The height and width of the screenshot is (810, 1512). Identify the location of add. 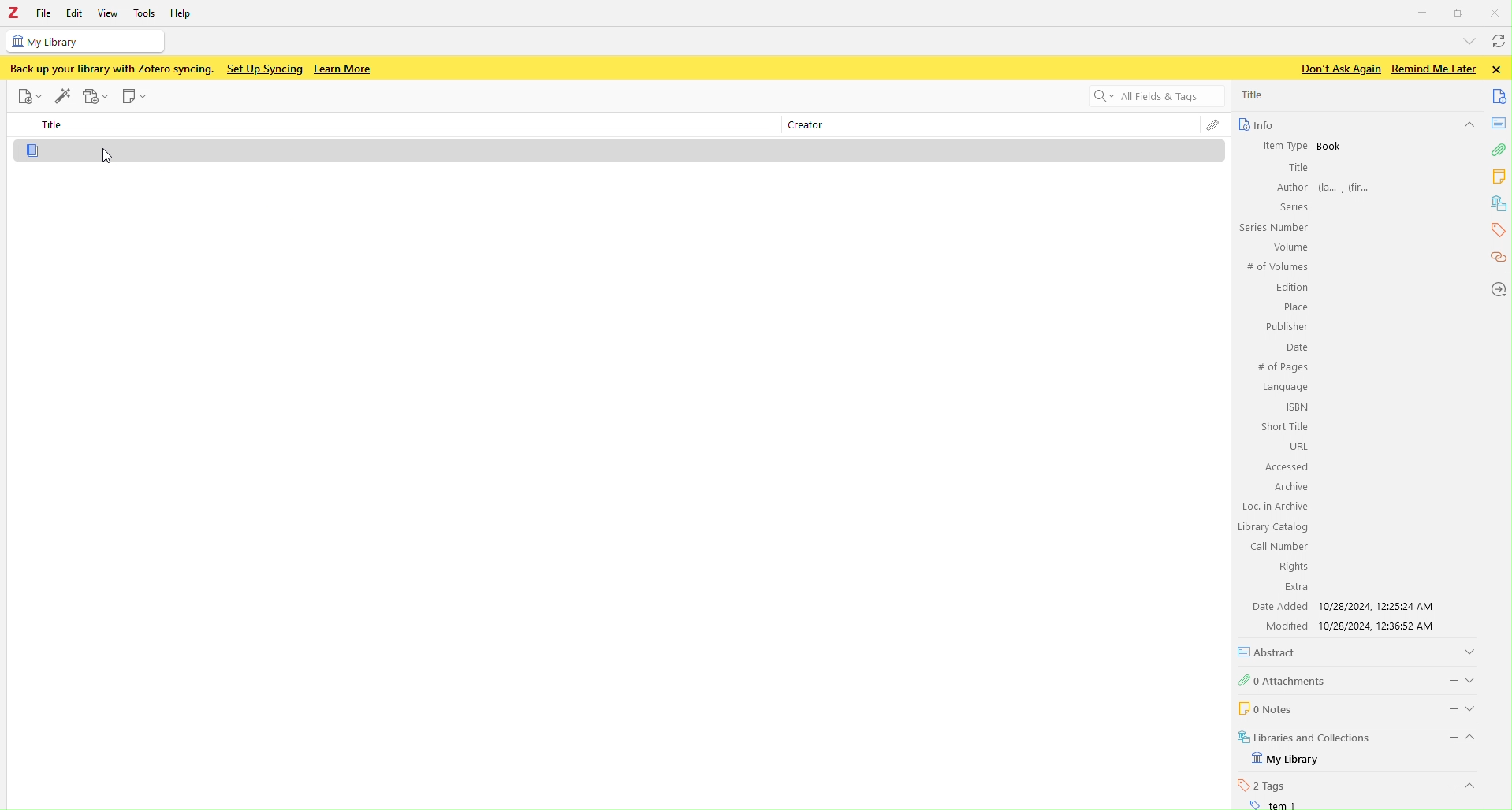
(1449, 678).